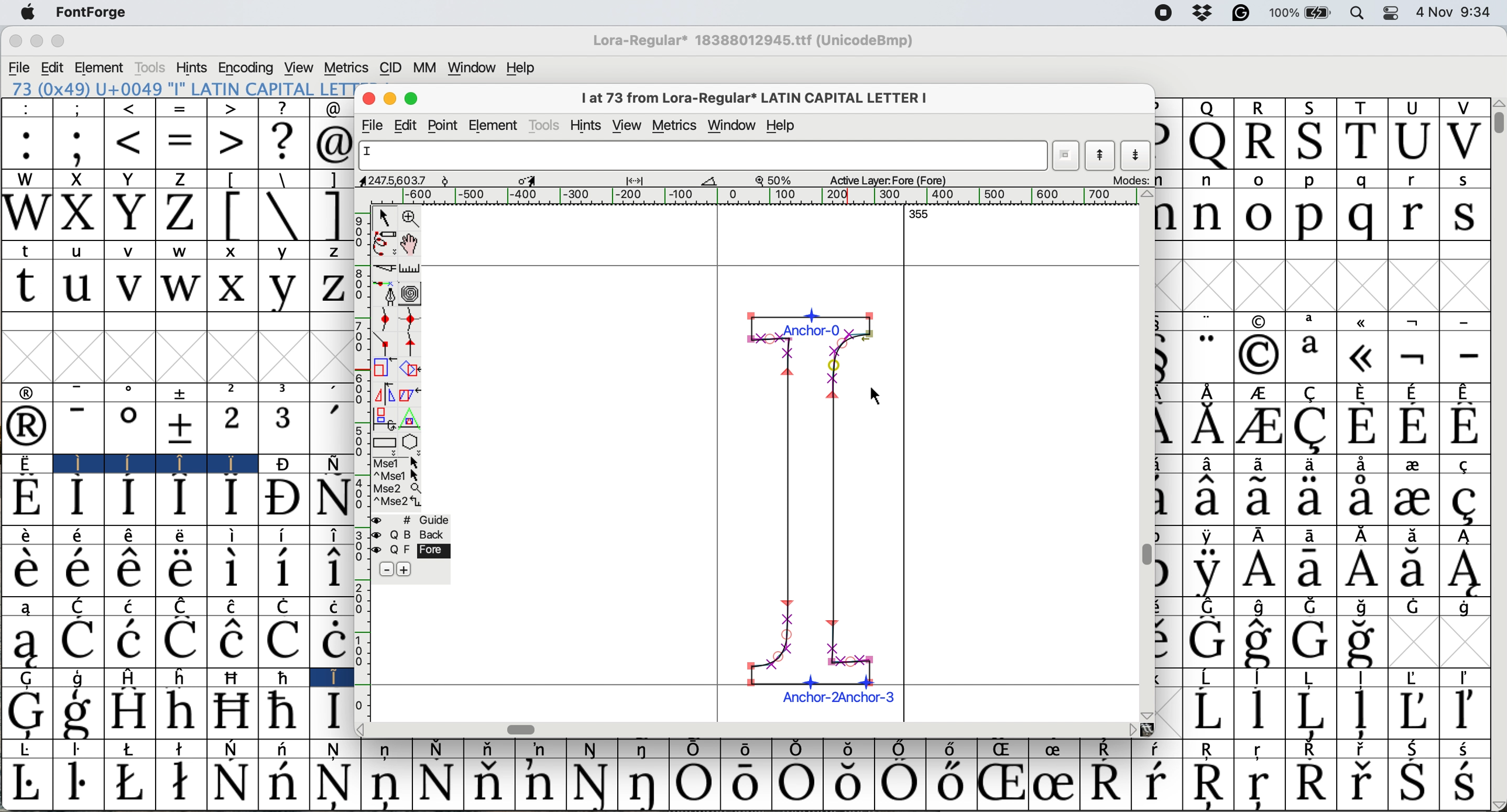 The image size is (1507, 812). What do you see at coordinates (1209, 391) in the screenshot?
I see `symbol` at bounding box center [1209, 391].